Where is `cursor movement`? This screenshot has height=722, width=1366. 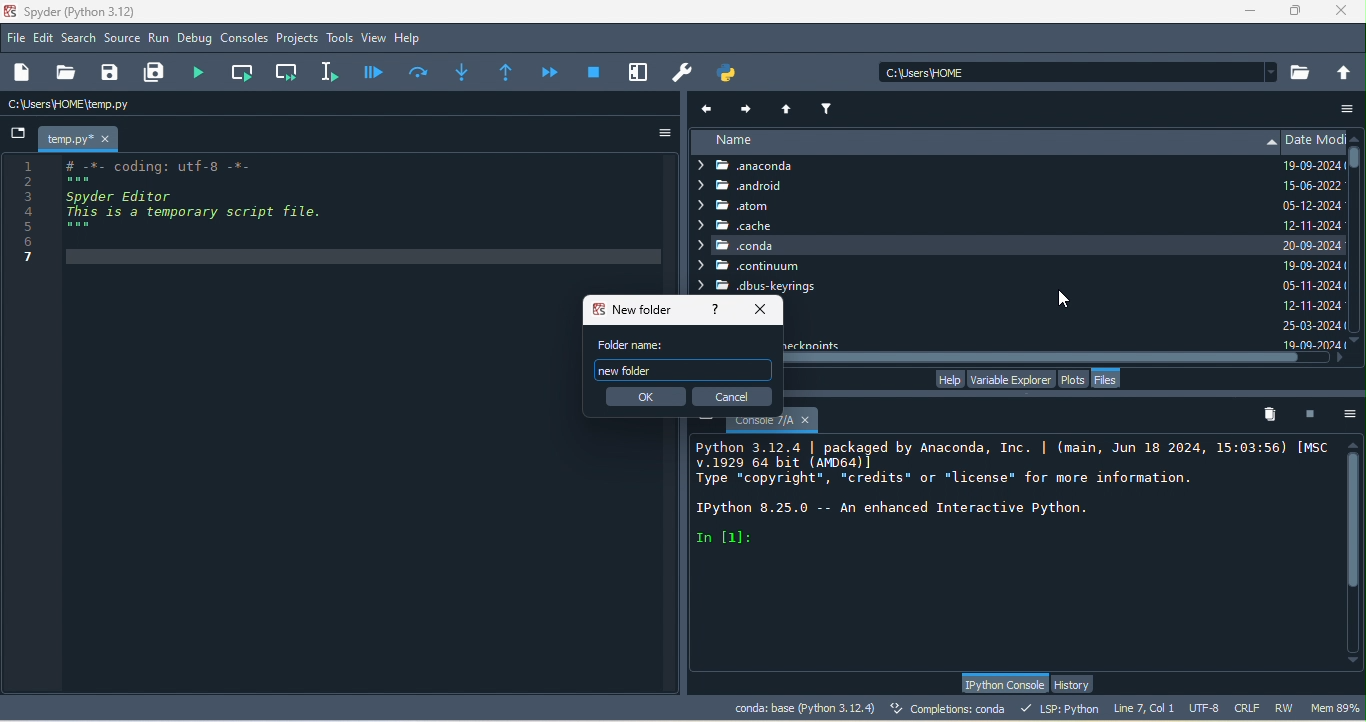 cursor movement is located at coordinates (1066, 300).